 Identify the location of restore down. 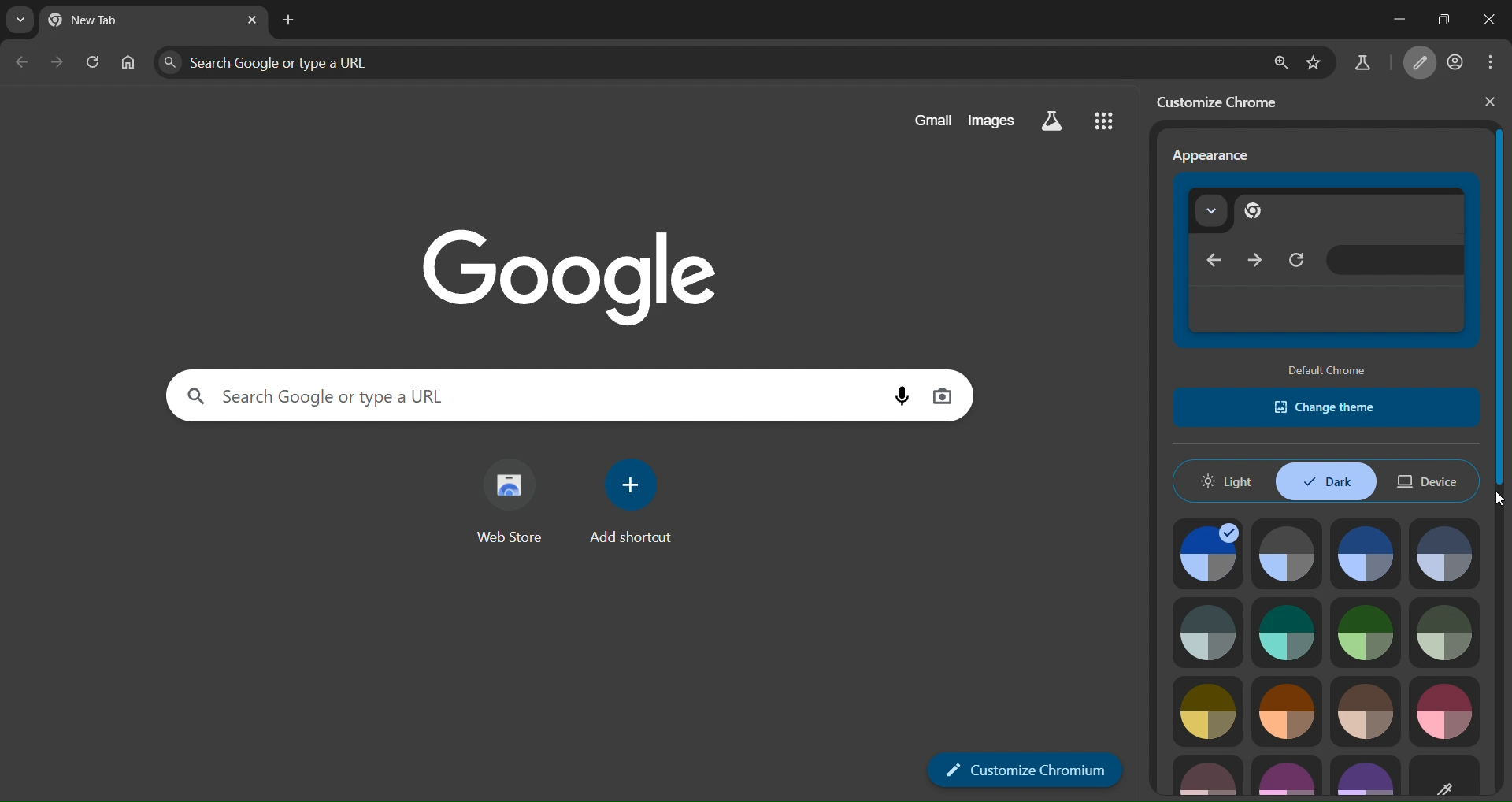
(1445, 20).